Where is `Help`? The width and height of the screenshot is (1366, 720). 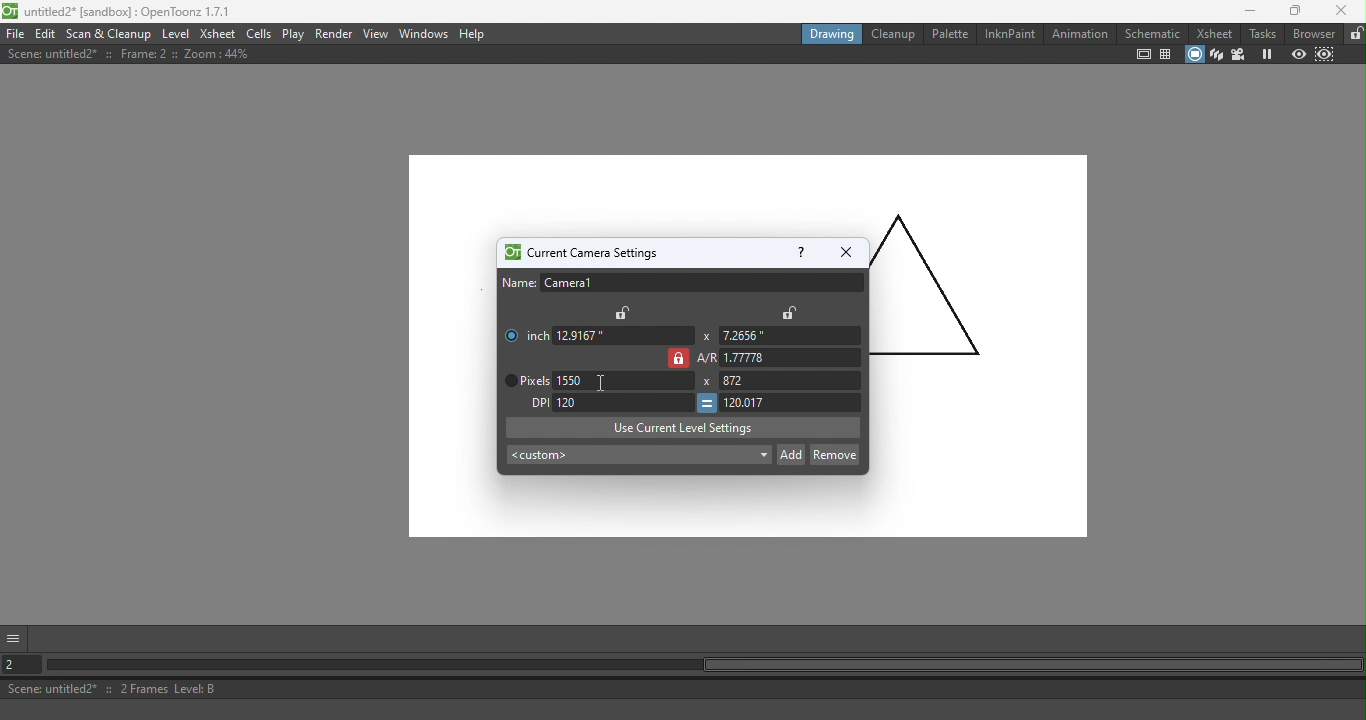 Help is located at coordinates (799, 251).